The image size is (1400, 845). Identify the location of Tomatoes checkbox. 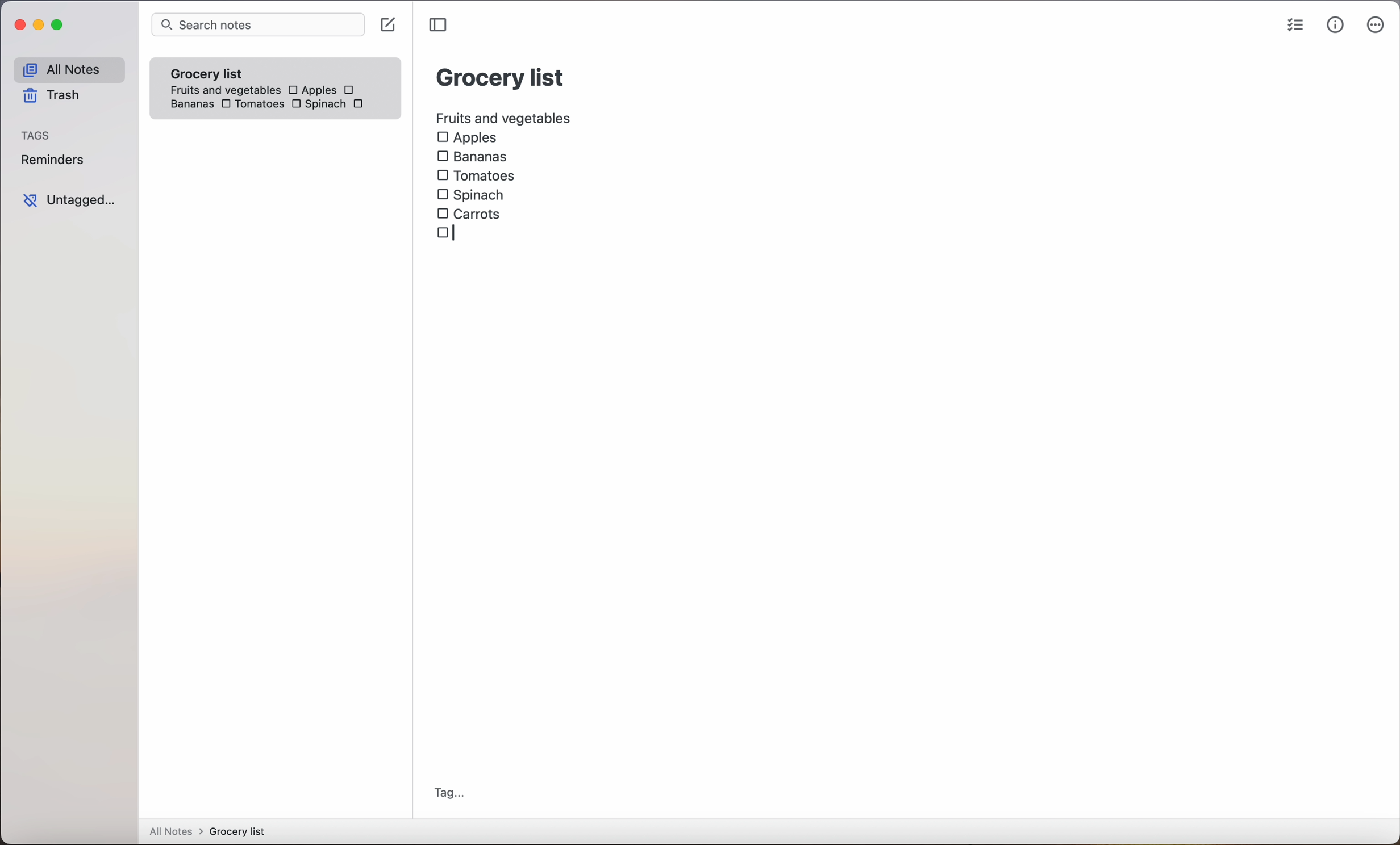
(476, 176).